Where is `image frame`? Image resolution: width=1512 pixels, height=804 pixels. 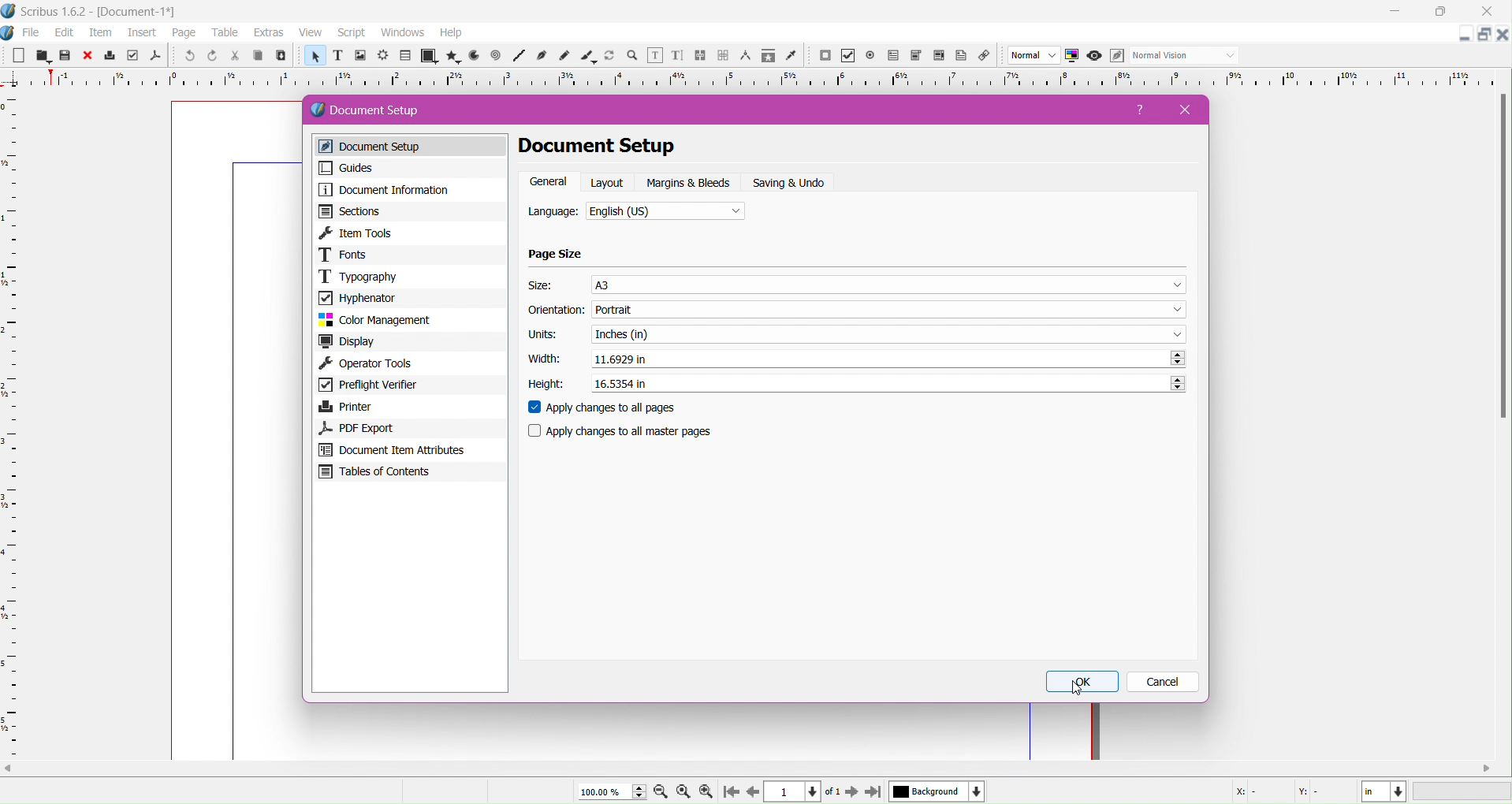 image frame is located at coordinates (359, 57).